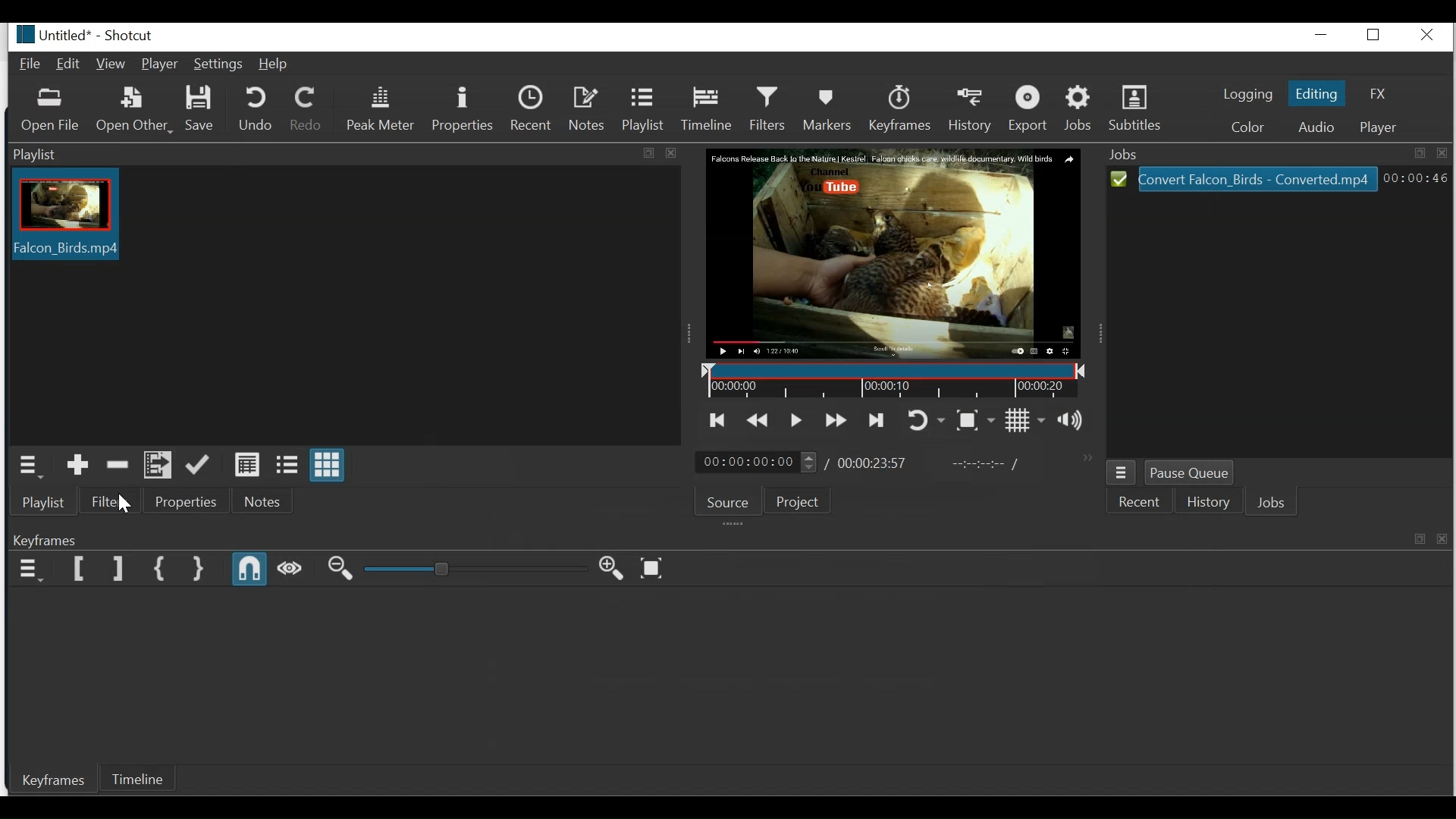  I want to click on Open Other, so click(133, 111).